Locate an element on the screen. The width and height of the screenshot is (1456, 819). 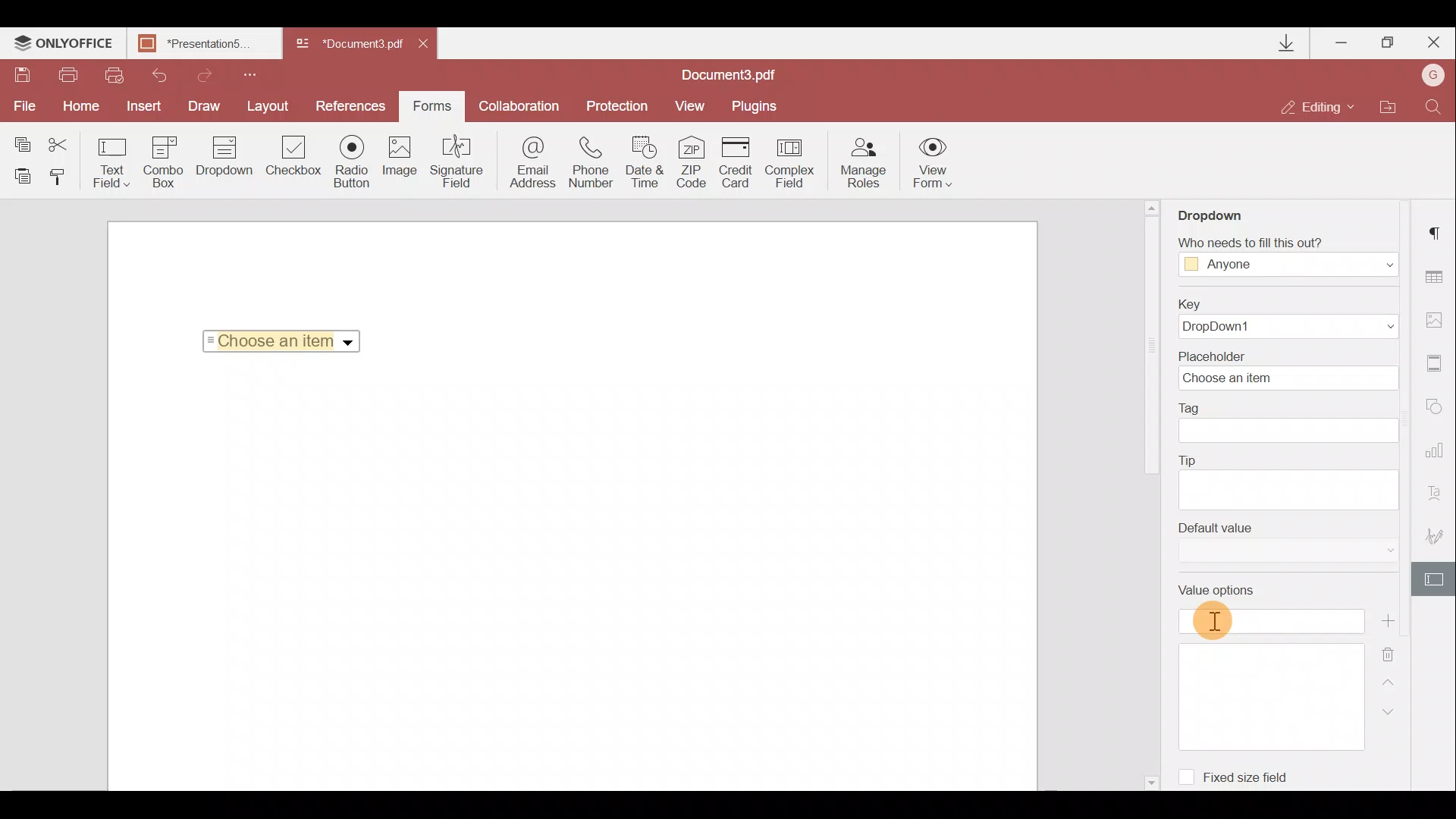
Image settings is located at coordinates (1438, 316).